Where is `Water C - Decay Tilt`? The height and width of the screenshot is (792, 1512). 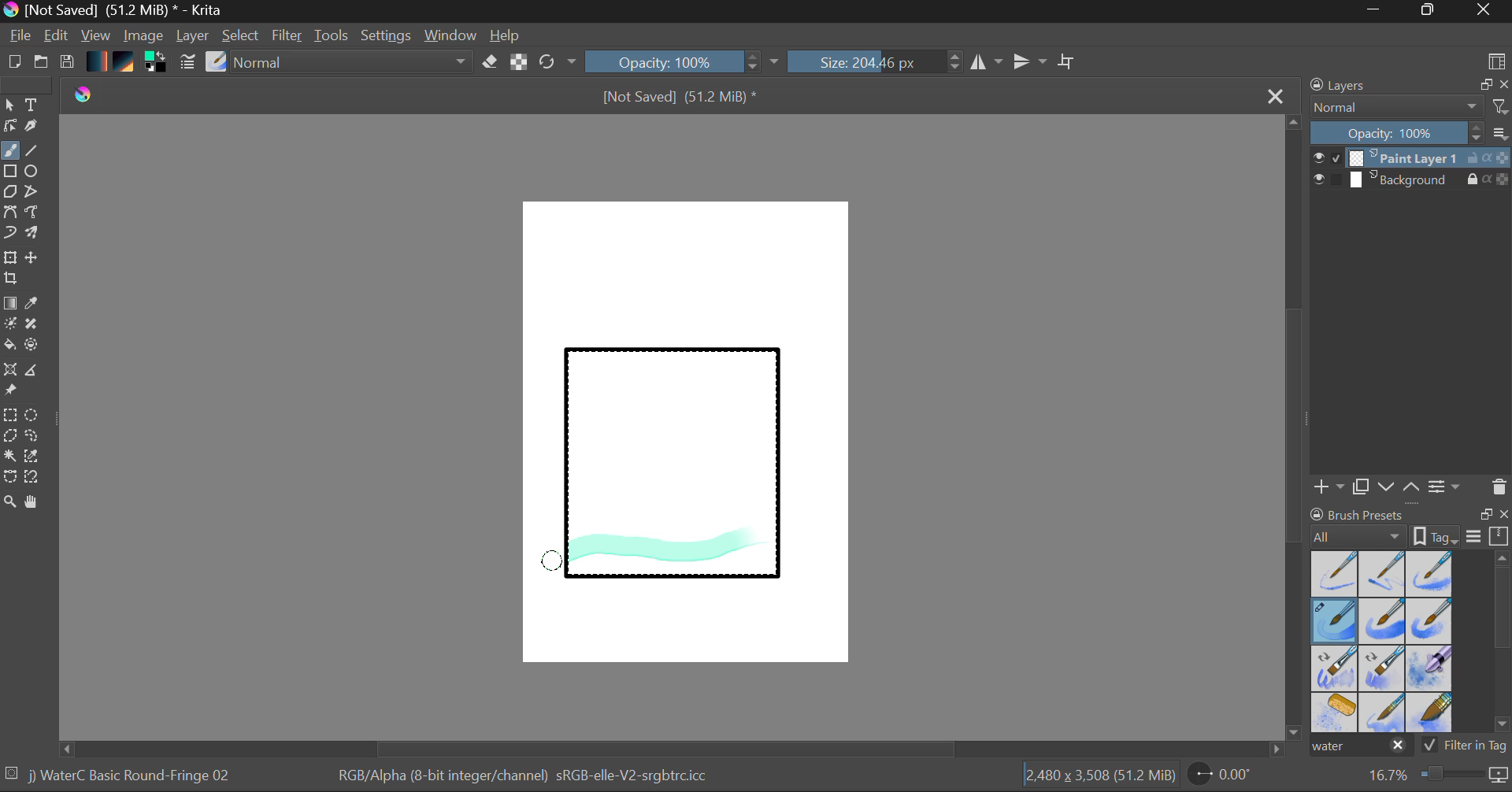 Water C - Decay Tilt is located at coordinates (1382, 667).